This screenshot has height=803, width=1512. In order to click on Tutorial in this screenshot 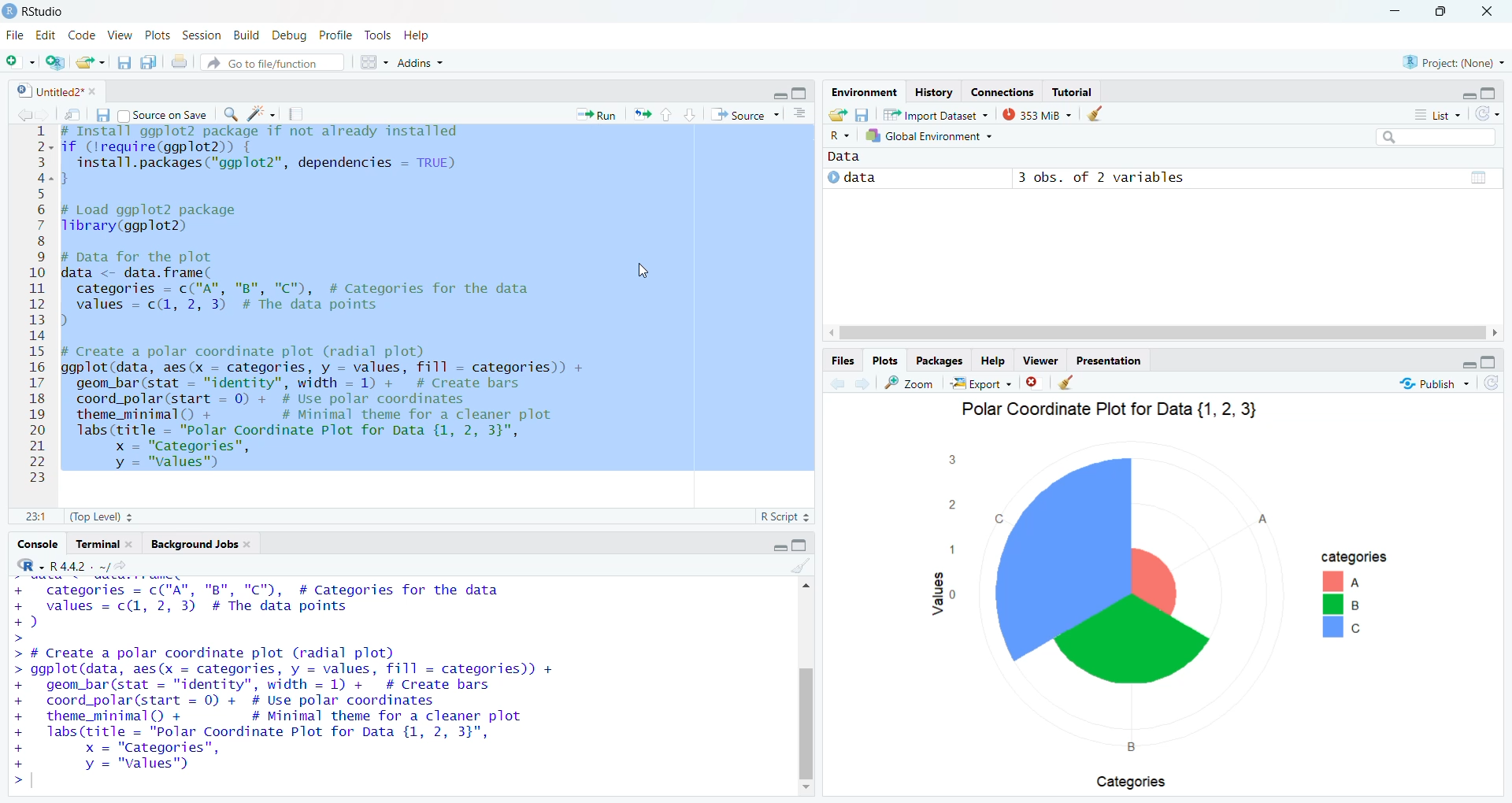, I will do `click(1071, 91)`.